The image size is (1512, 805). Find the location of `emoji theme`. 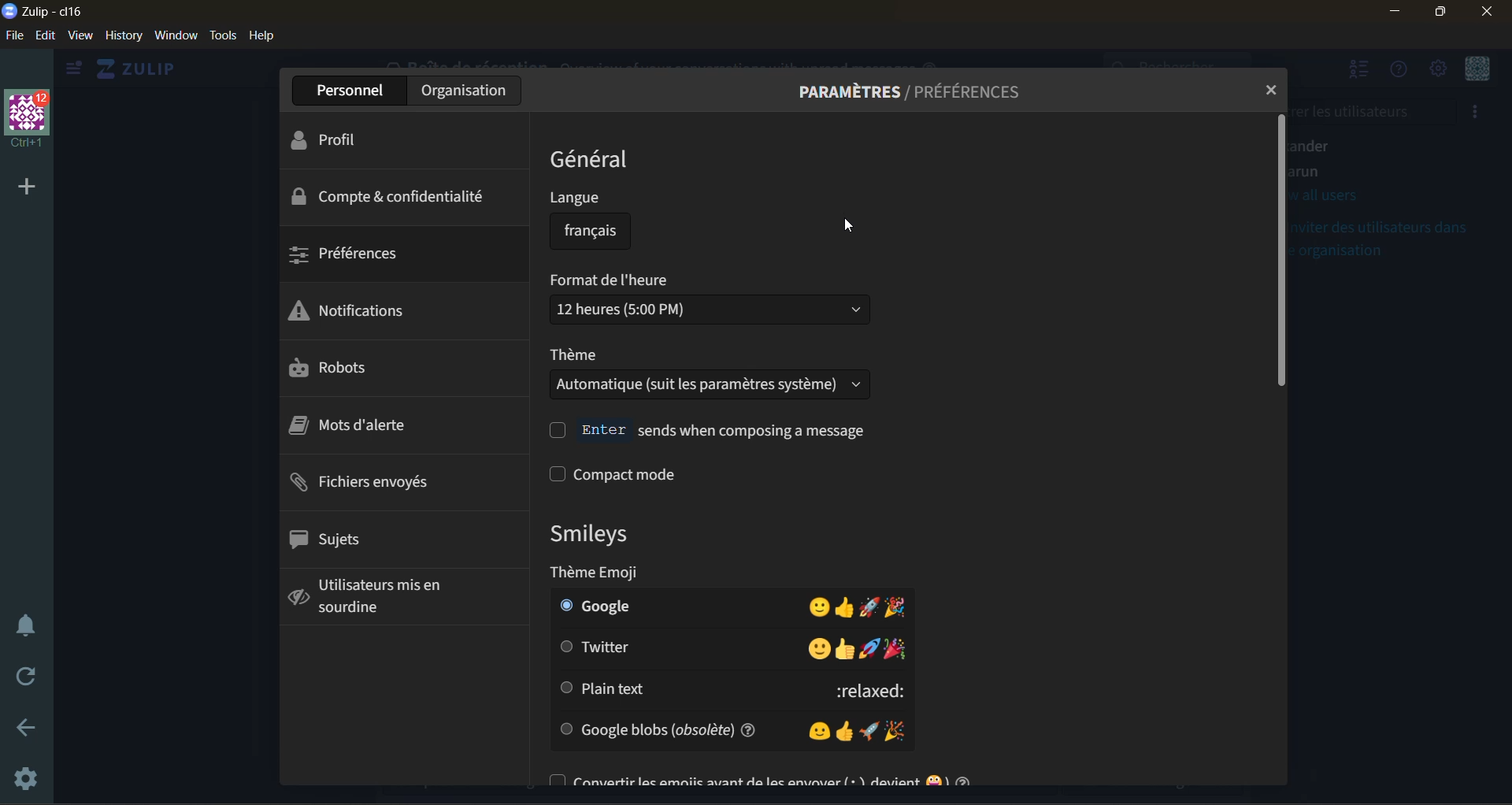

emoji theme is located at coordinates (658, 574).